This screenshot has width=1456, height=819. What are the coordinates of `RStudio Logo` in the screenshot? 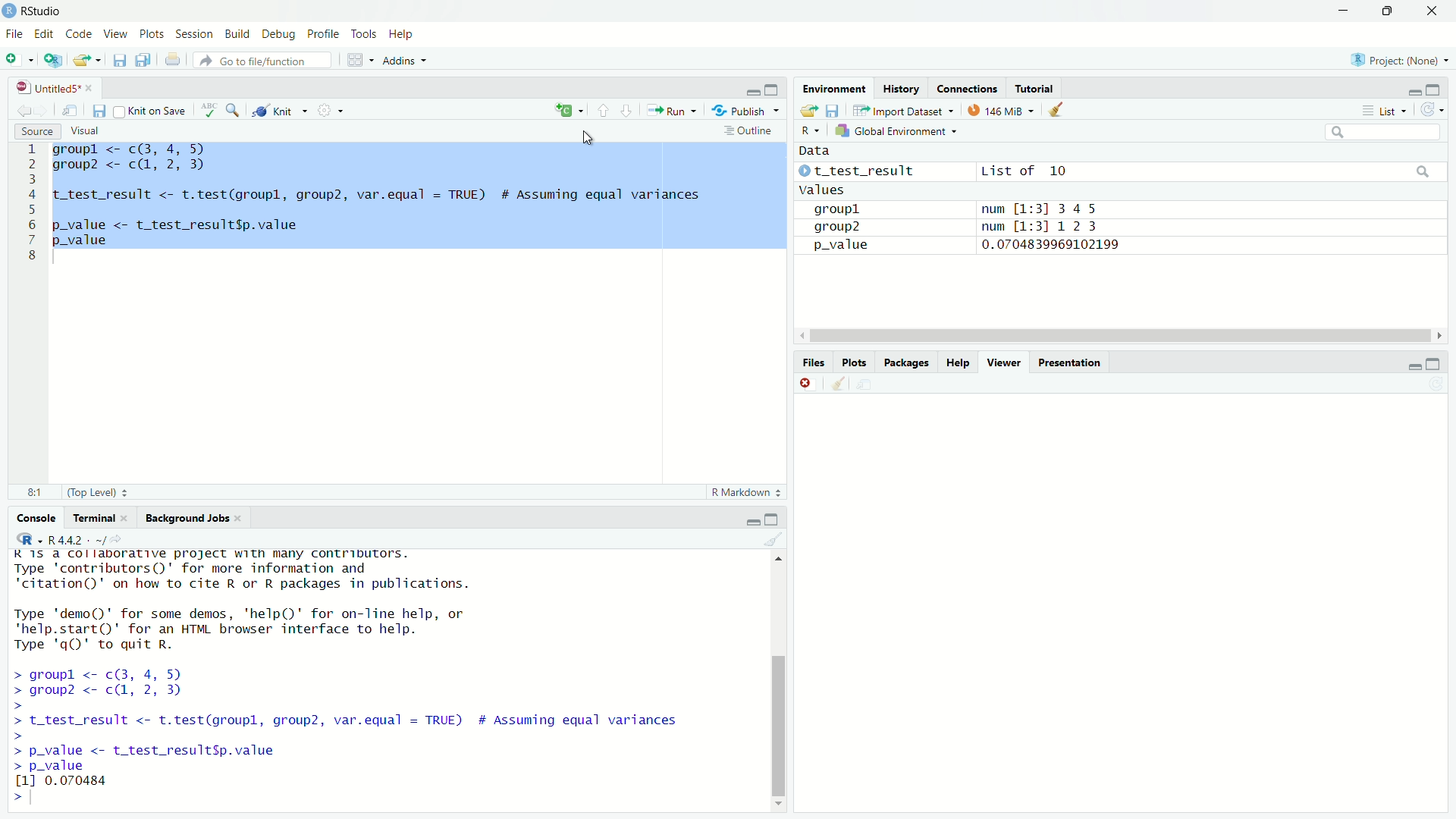 It's located at (11, 11).